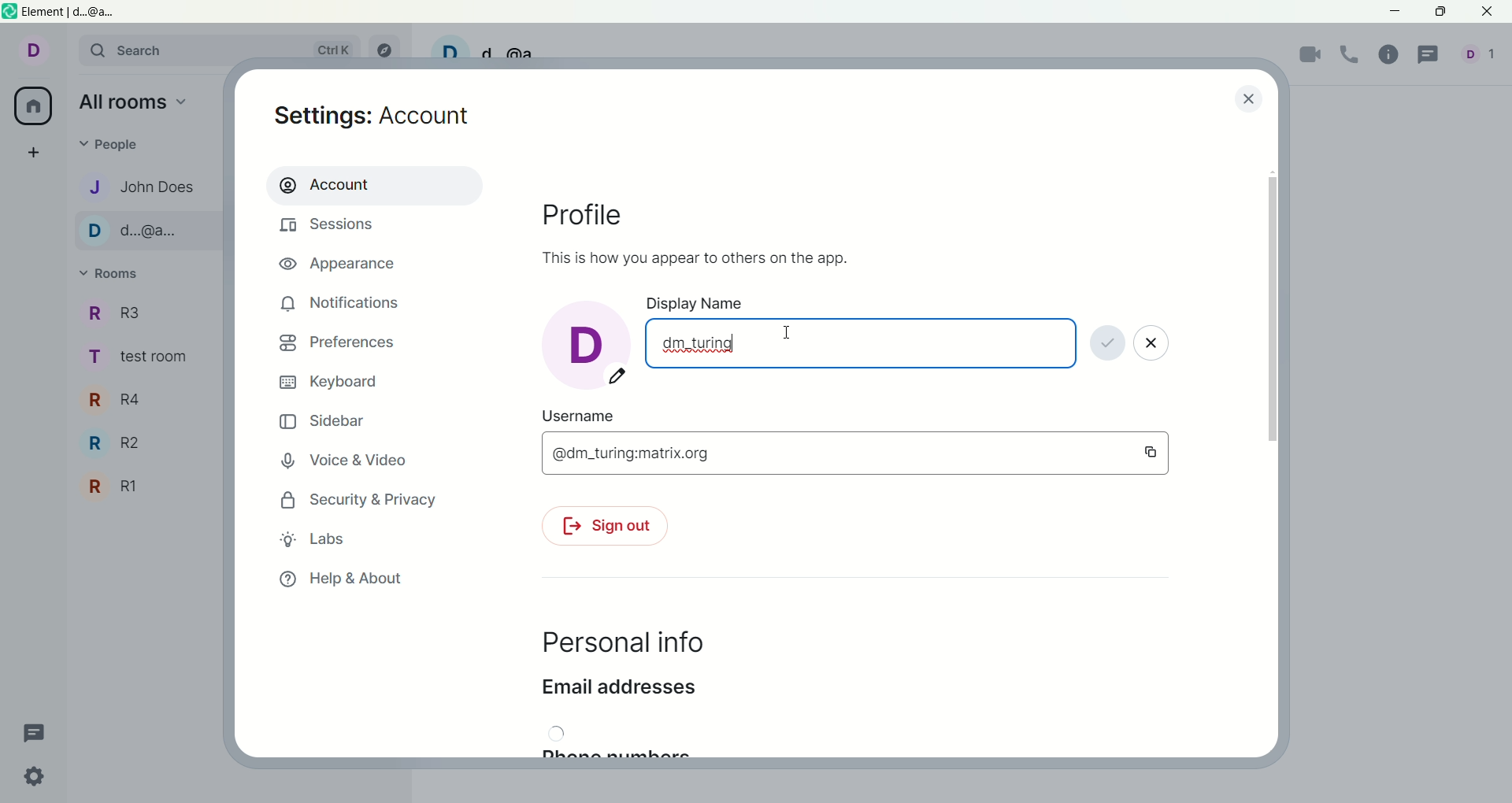 The height and width of the screenshot is (803, 1512). Describe the element at coordinates (140, 232) in the screenshot. I see `D..@a..` at that location.